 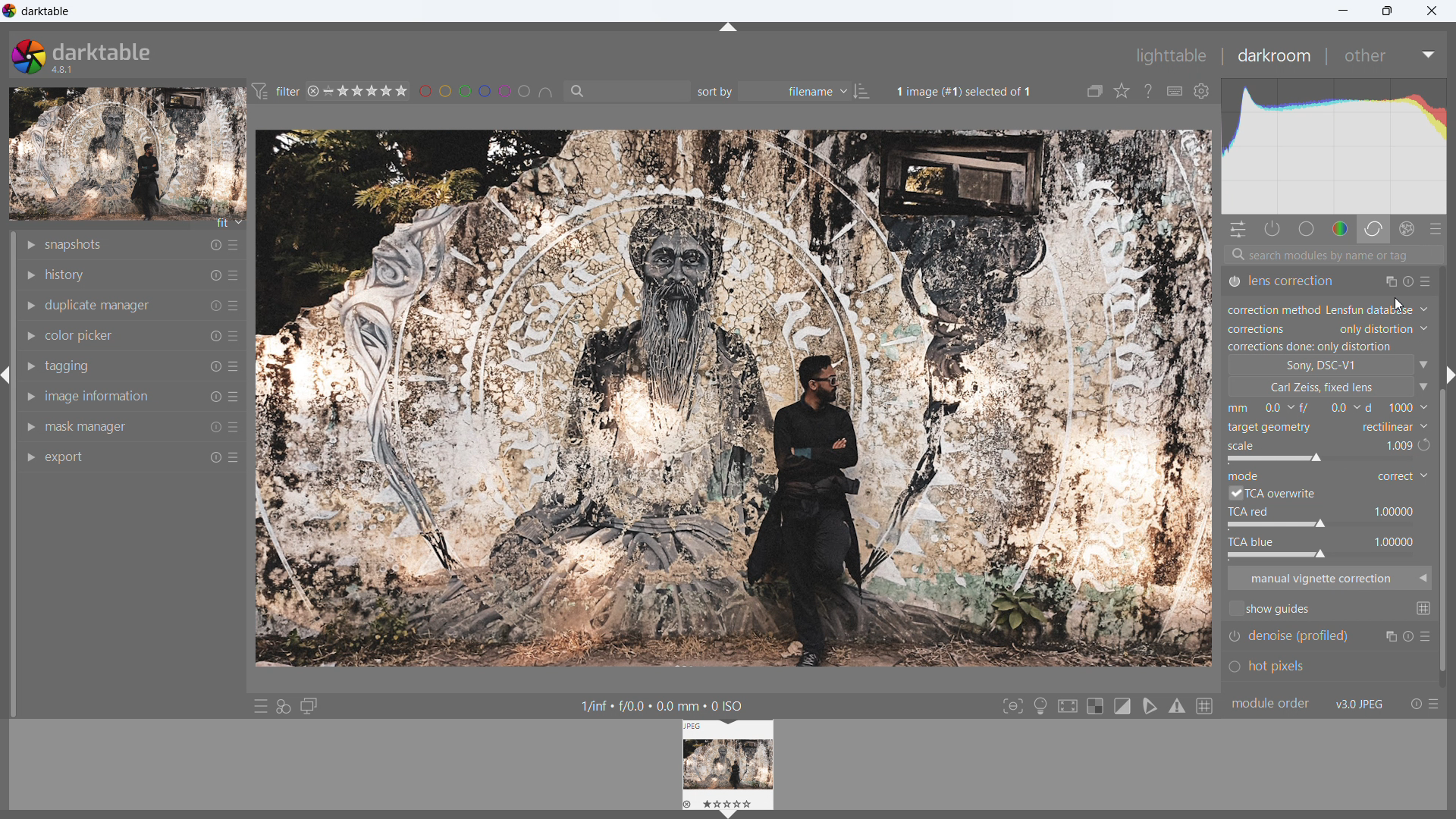 I want to click on change global guide settings, so click(x=1424, y=607).